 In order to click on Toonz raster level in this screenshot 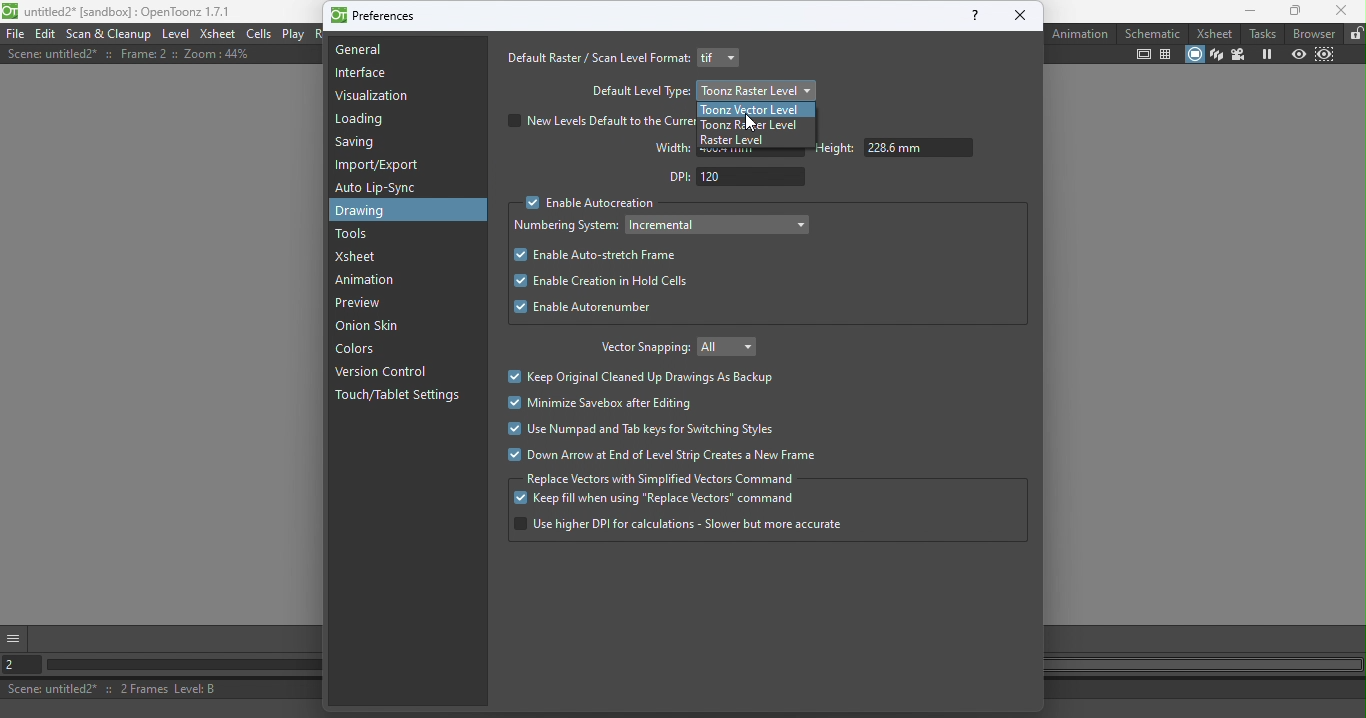, I will do `click(760, 89)`.